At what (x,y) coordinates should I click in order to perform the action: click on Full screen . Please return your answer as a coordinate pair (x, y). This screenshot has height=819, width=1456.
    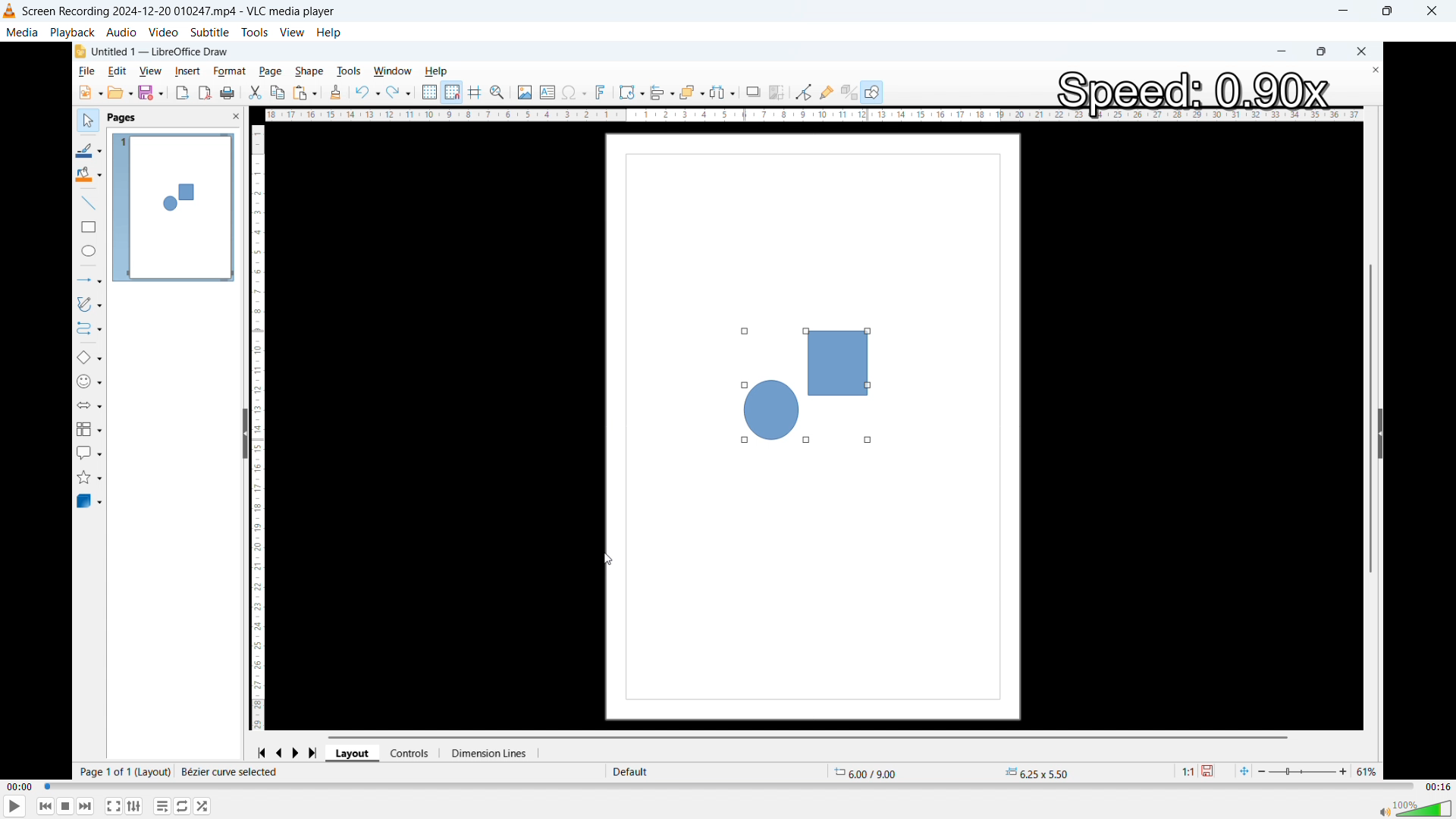
    Looking at the image, I should click on (114, 805).